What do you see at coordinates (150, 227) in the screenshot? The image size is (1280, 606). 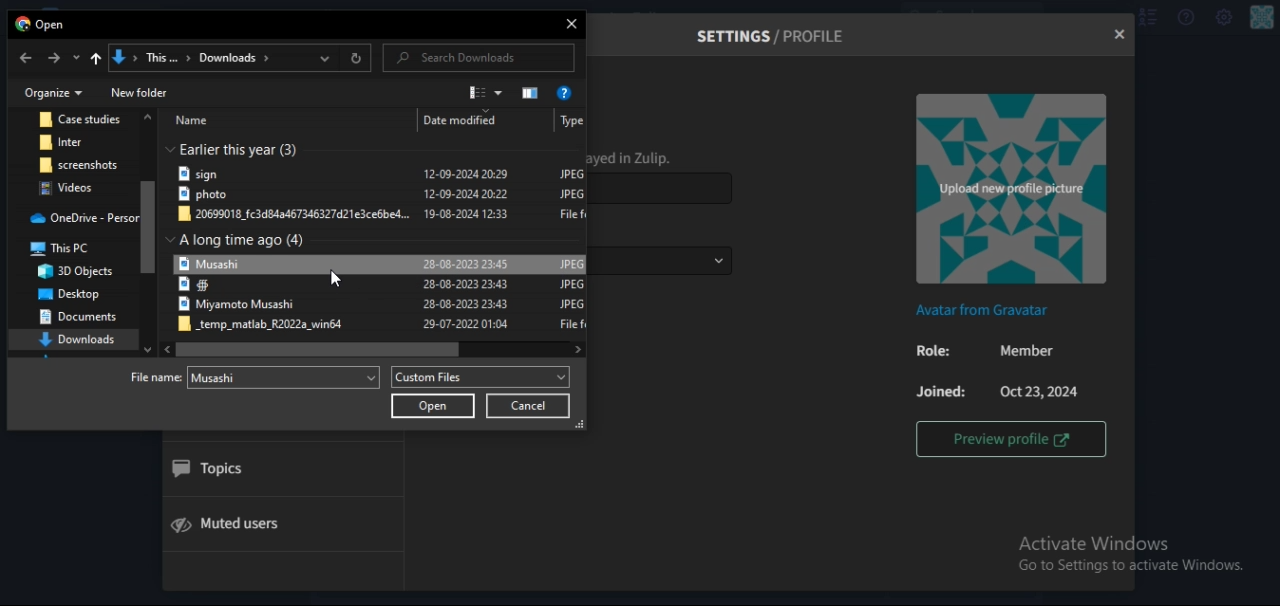 I see `scroll bar` at bounding box center [150, 227].